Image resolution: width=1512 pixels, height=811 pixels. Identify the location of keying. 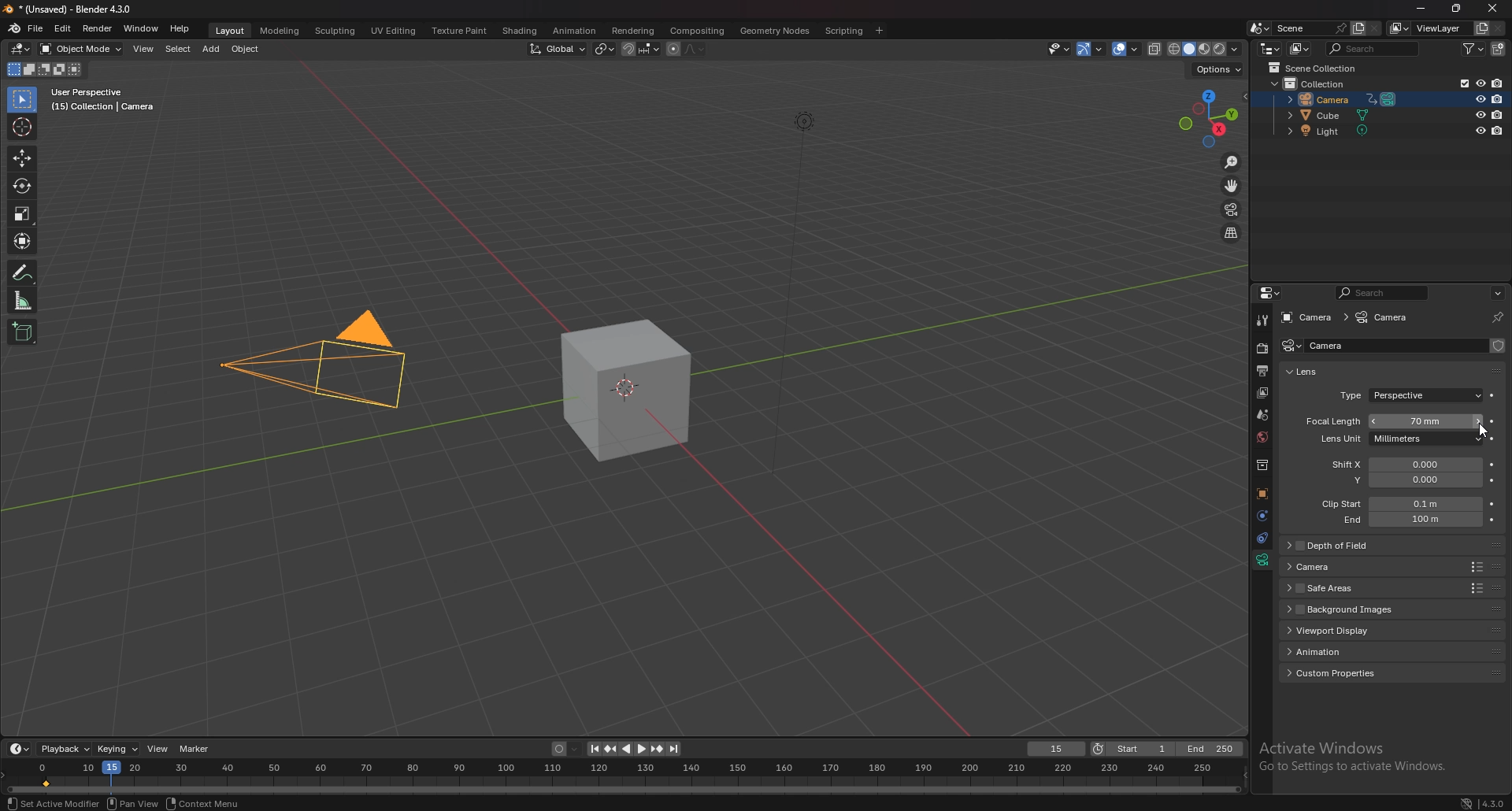
(118, 749).